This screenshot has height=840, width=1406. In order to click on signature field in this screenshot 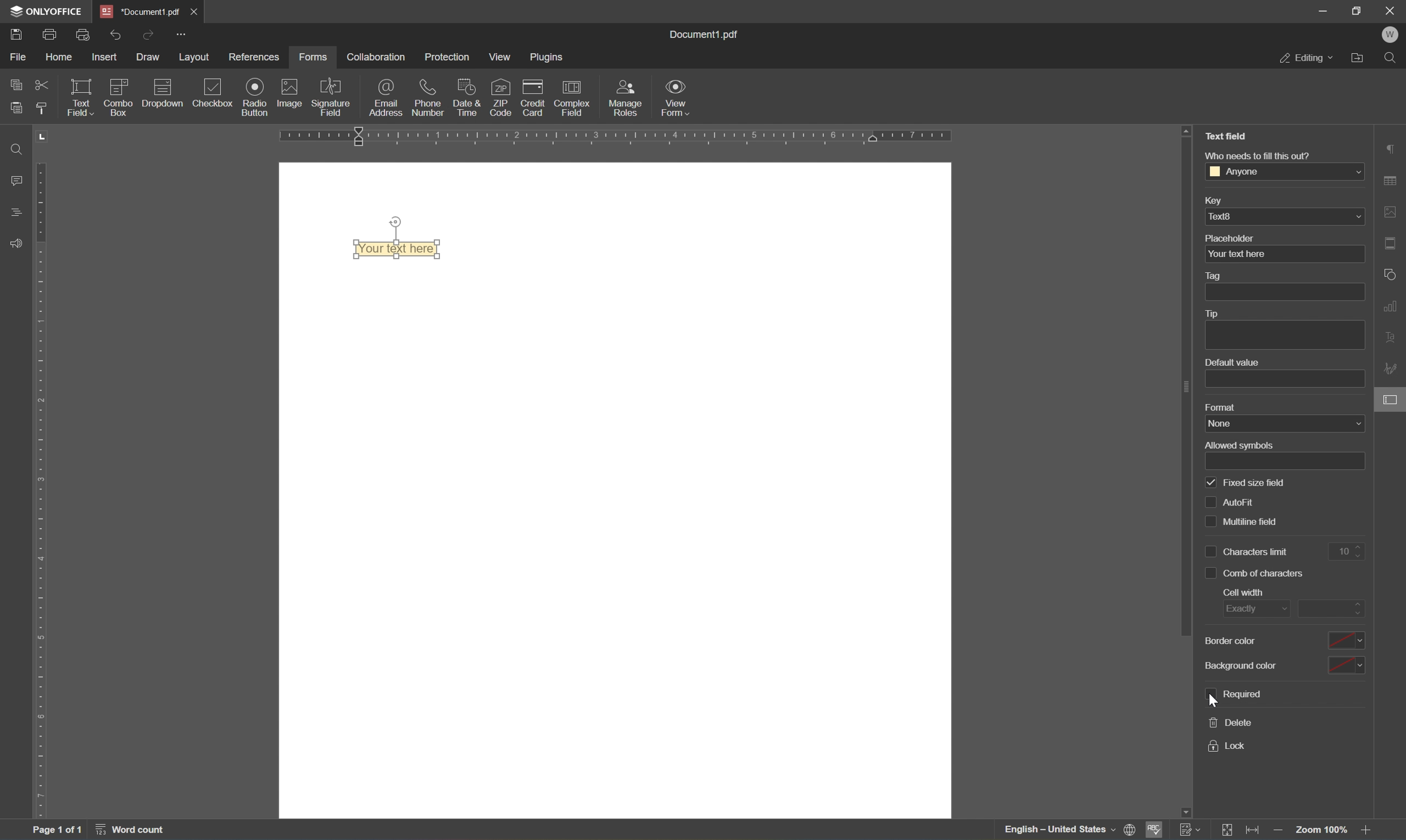, I will do `click(332, 97)`.